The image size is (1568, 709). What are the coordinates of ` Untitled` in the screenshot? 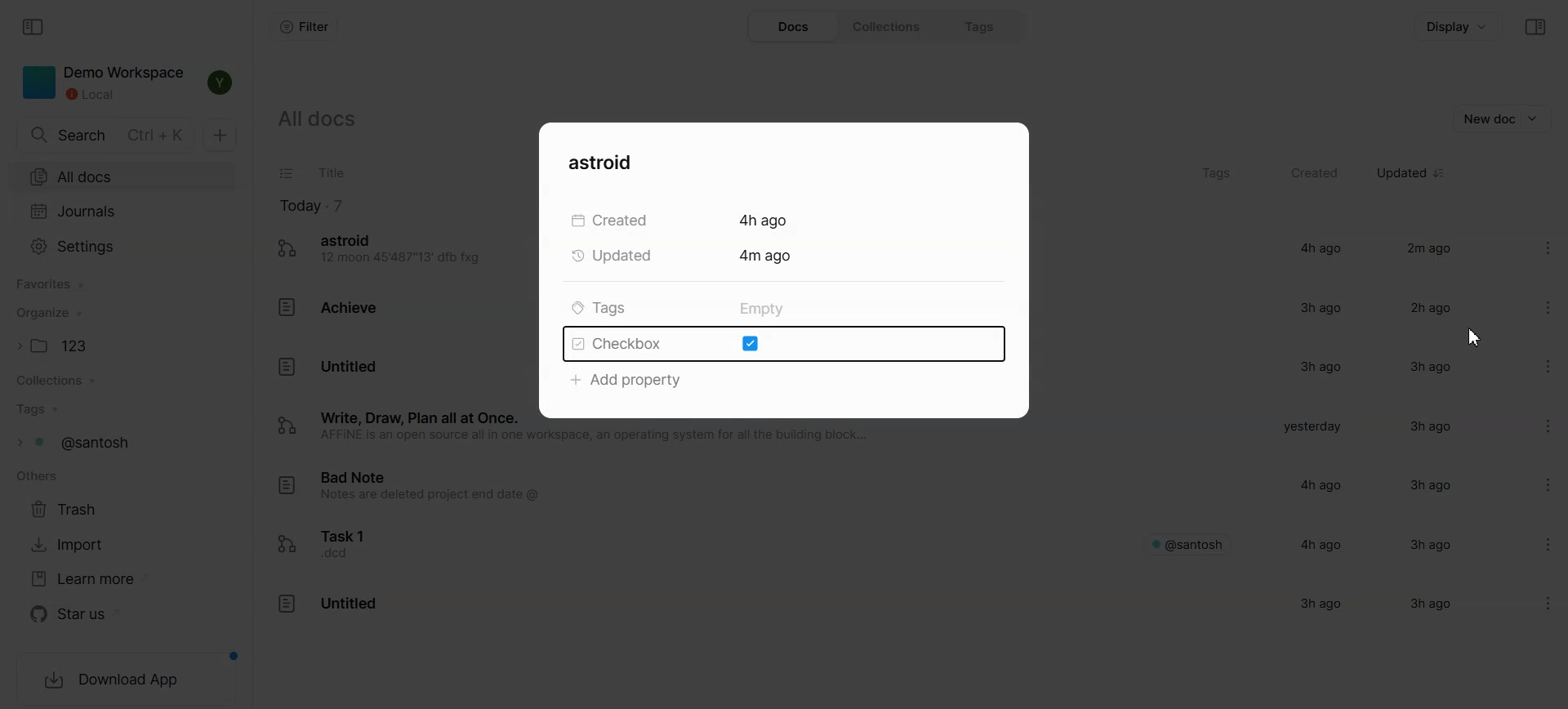 It's located at (328, 366).